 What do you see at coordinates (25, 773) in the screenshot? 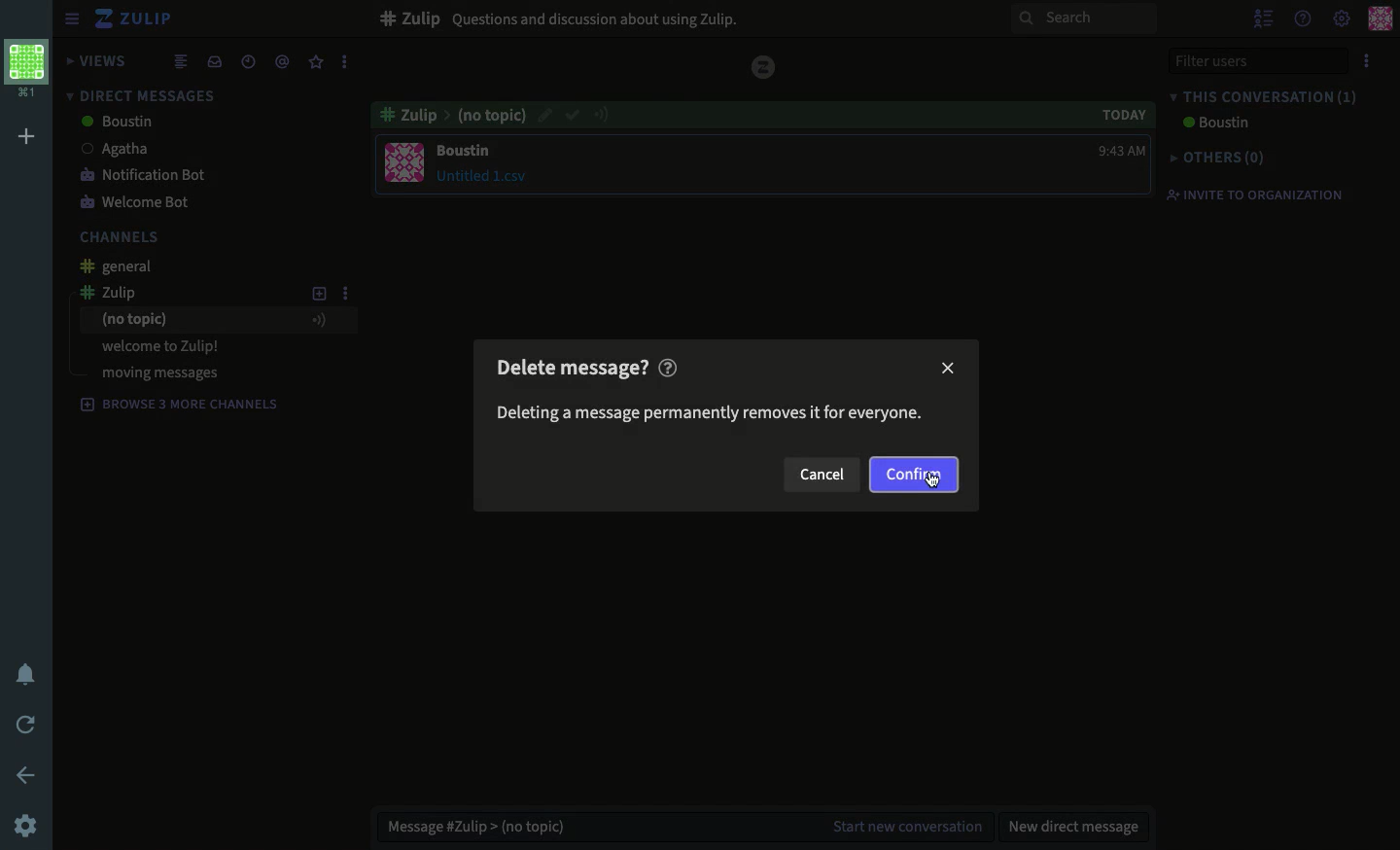
I see `back` at bounding box center [25, 773].